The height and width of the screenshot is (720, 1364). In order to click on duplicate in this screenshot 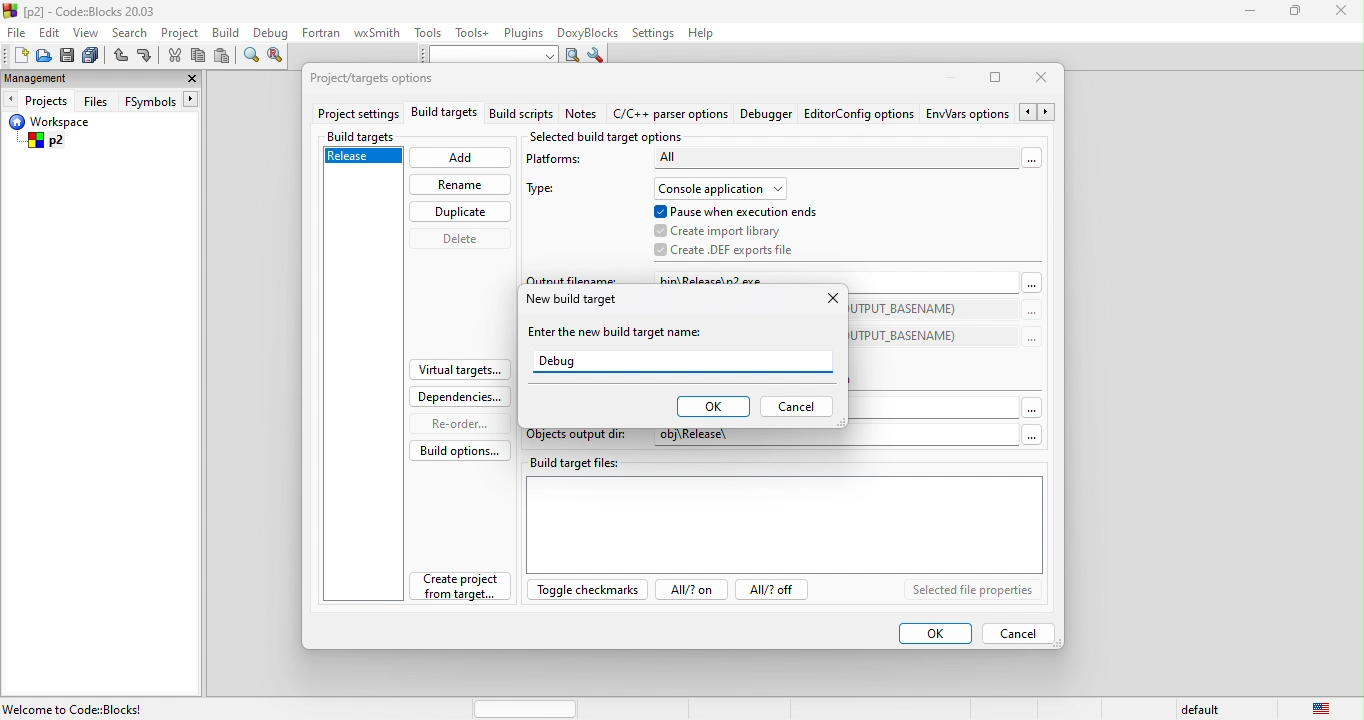, I will do `click(463, 214)`.